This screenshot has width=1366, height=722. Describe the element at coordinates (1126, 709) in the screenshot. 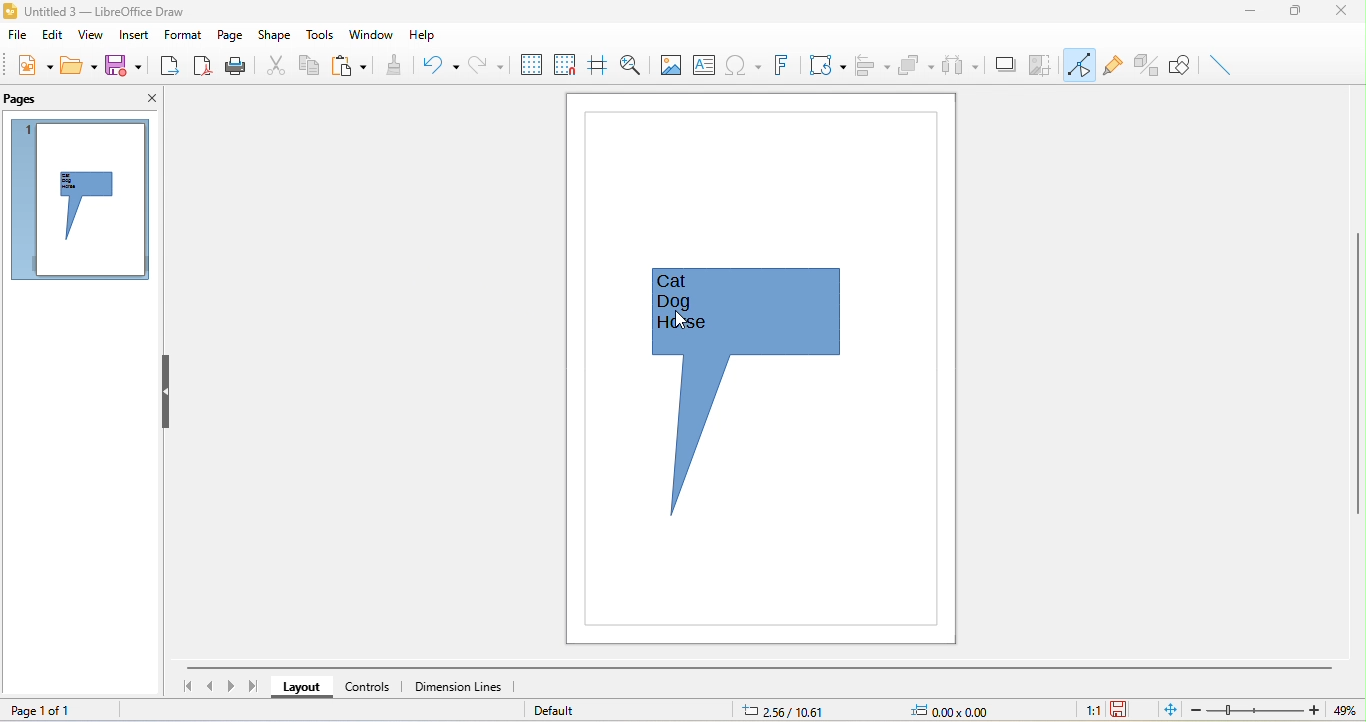

I see `the document has not been modified since the last save` at that location.